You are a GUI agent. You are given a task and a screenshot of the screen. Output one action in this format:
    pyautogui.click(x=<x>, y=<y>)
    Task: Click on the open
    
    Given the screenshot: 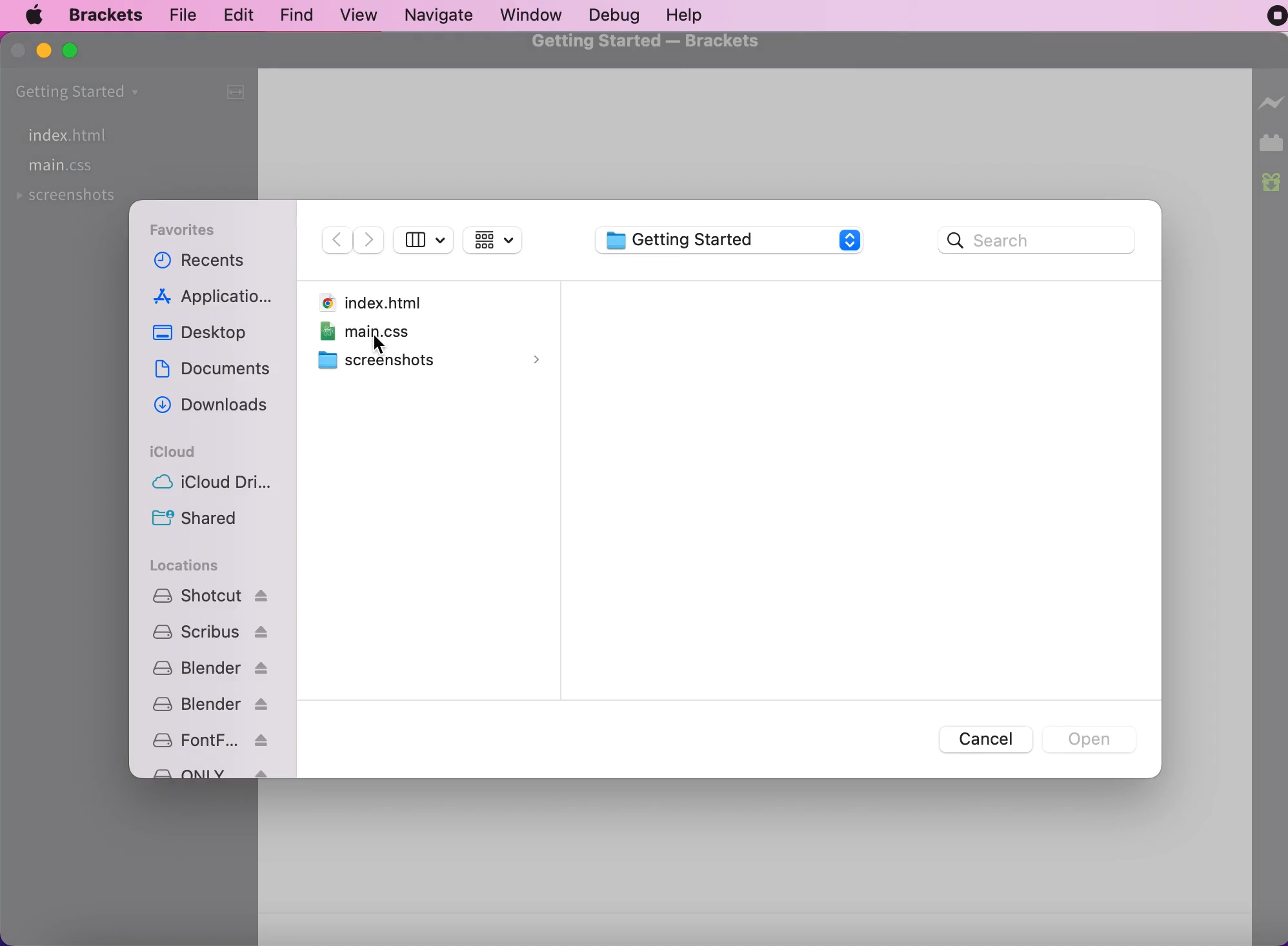 What is the action you would take?
    pyautogui.click(x=1092, y=739)
    